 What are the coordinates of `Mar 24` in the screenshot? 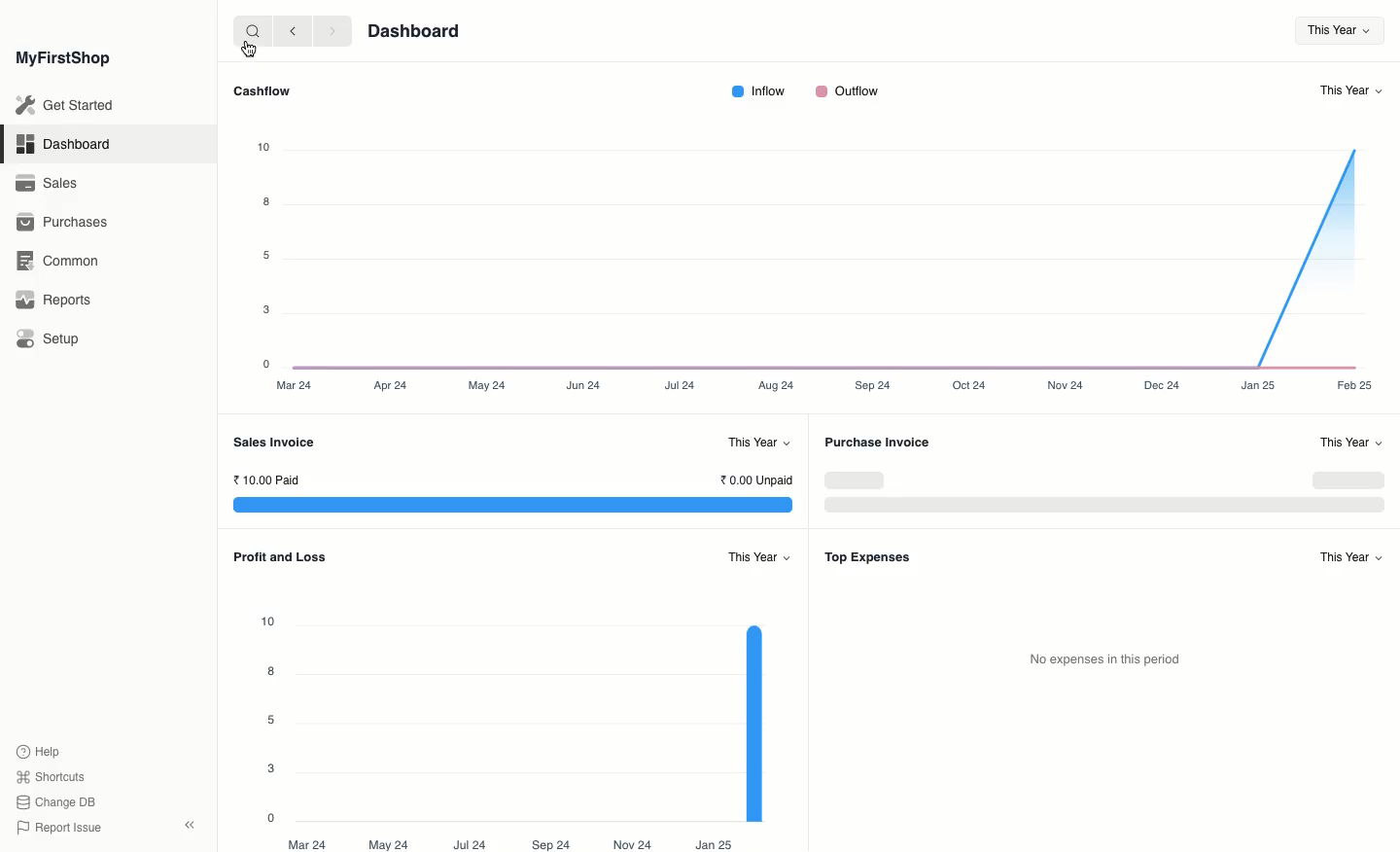 It's located at (307, 843).